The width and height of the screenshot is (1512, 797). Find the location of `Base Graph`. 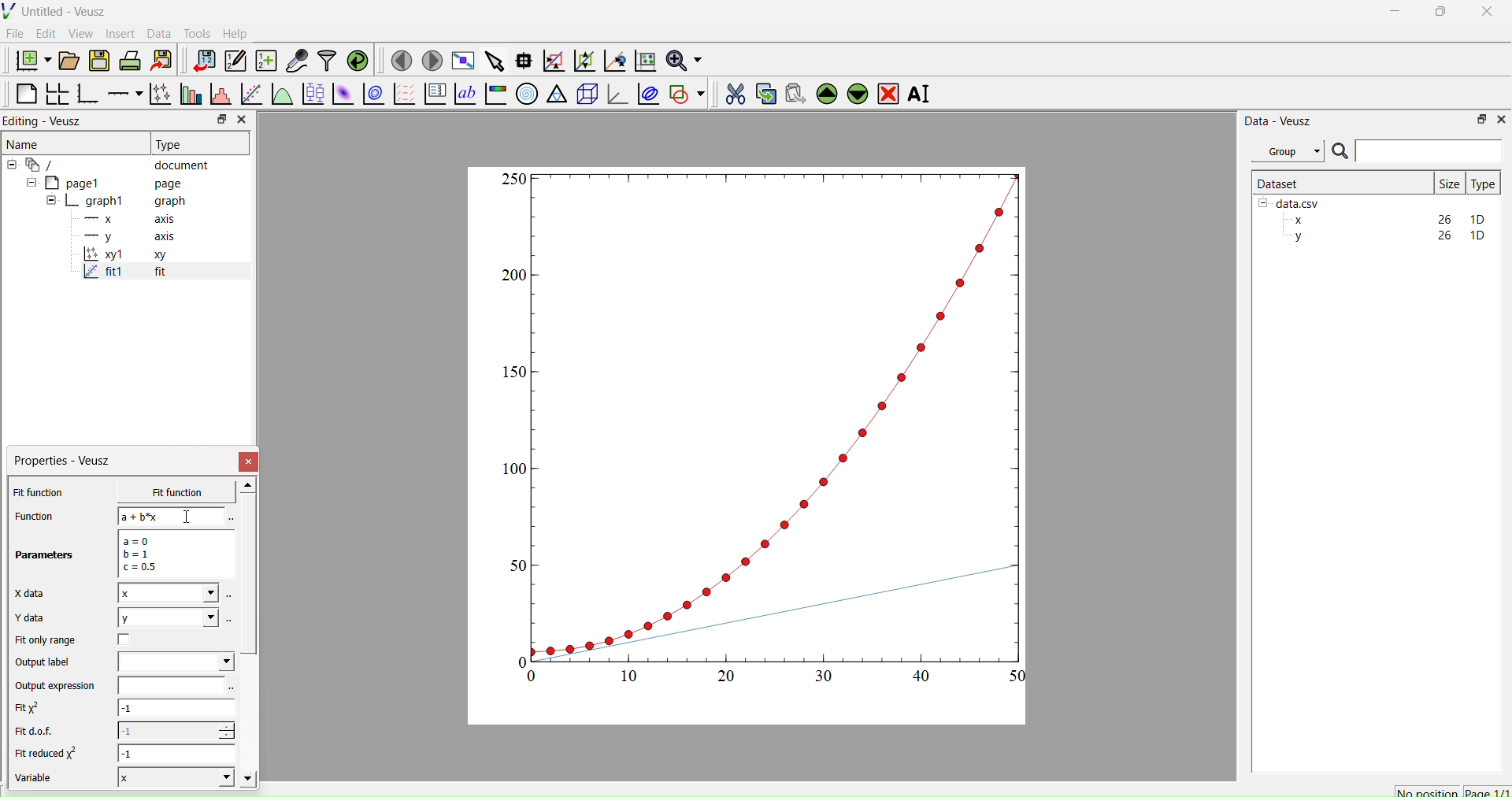

Base Graph is located at coordinates (85, 95).